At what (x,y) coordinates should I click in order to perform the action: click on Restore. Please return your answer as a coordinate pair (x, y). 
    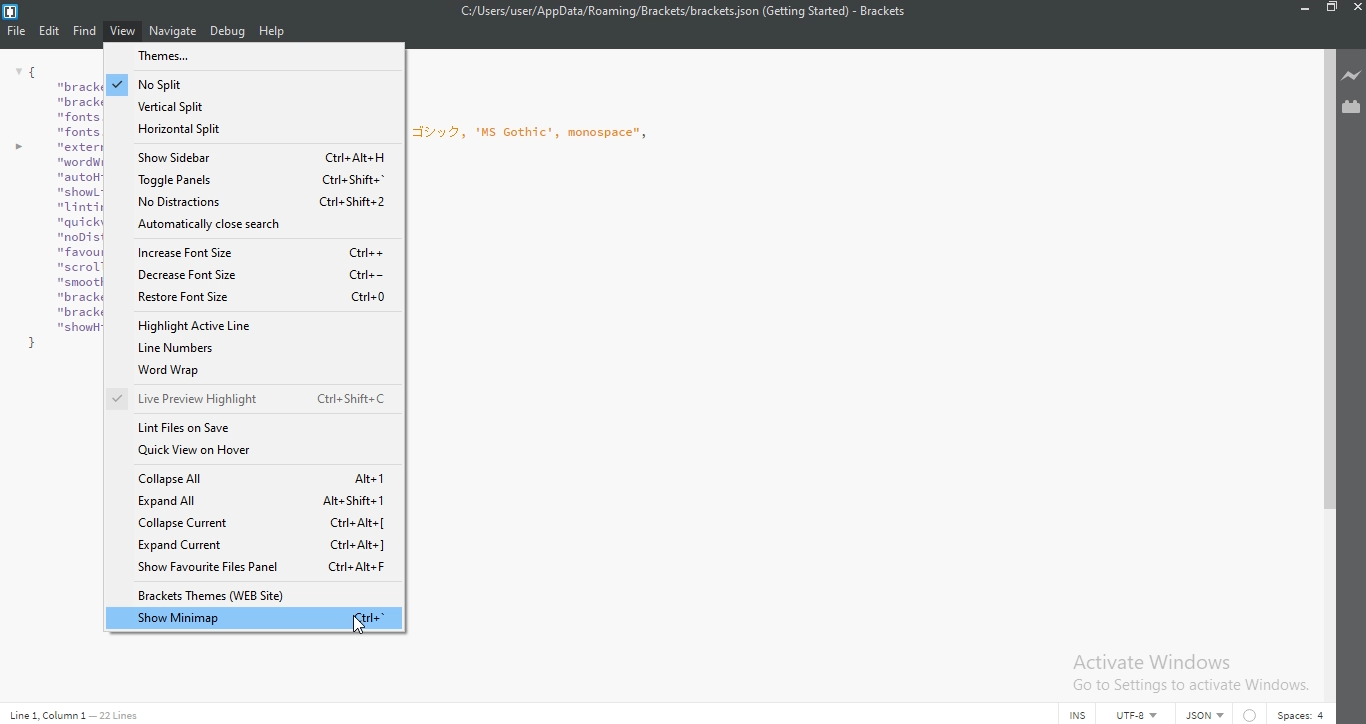
    Looking at the image, I should click on (1333, 10).